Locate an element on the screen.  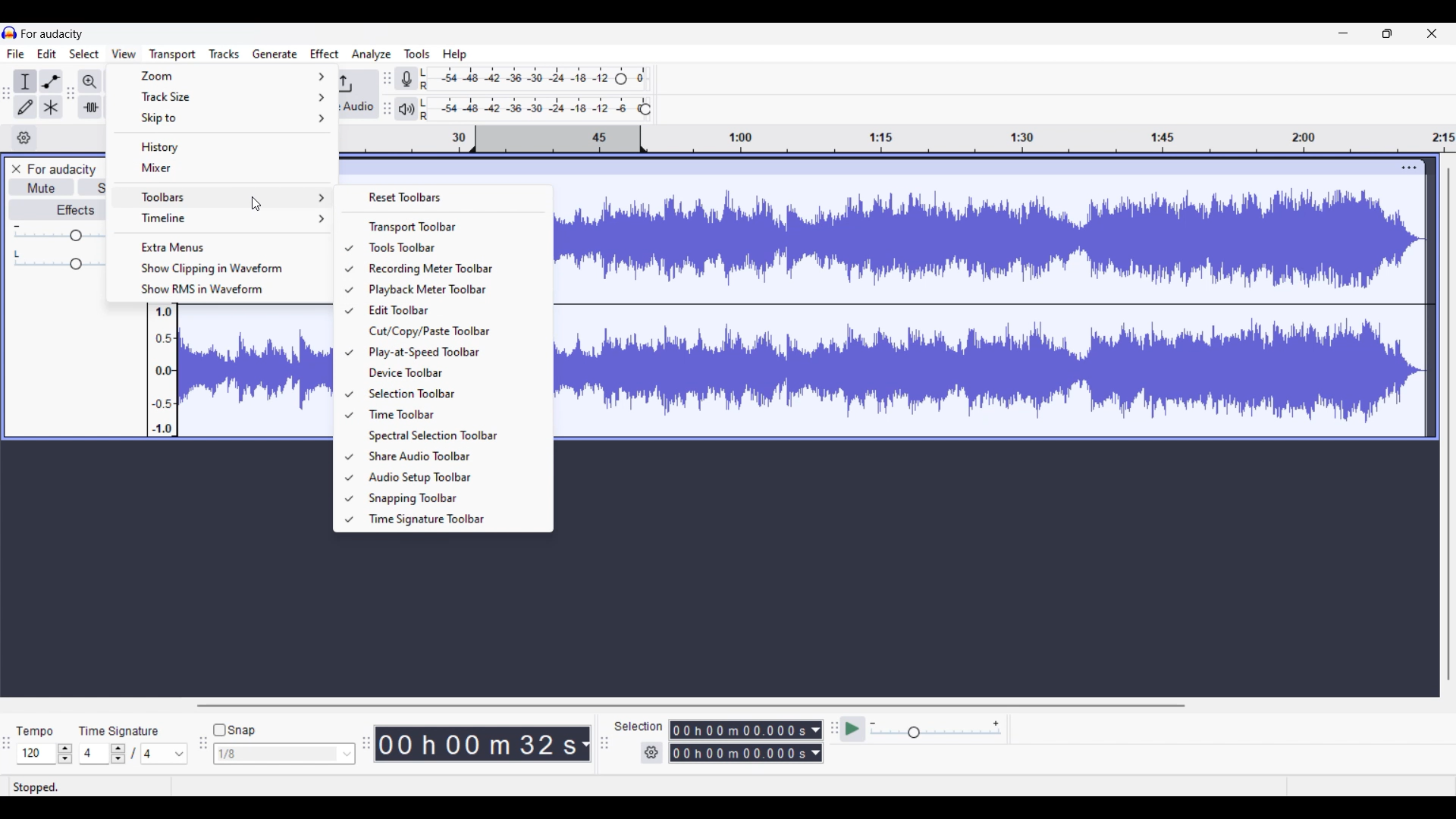
Envelop tool is located at coordinates (51, 82).